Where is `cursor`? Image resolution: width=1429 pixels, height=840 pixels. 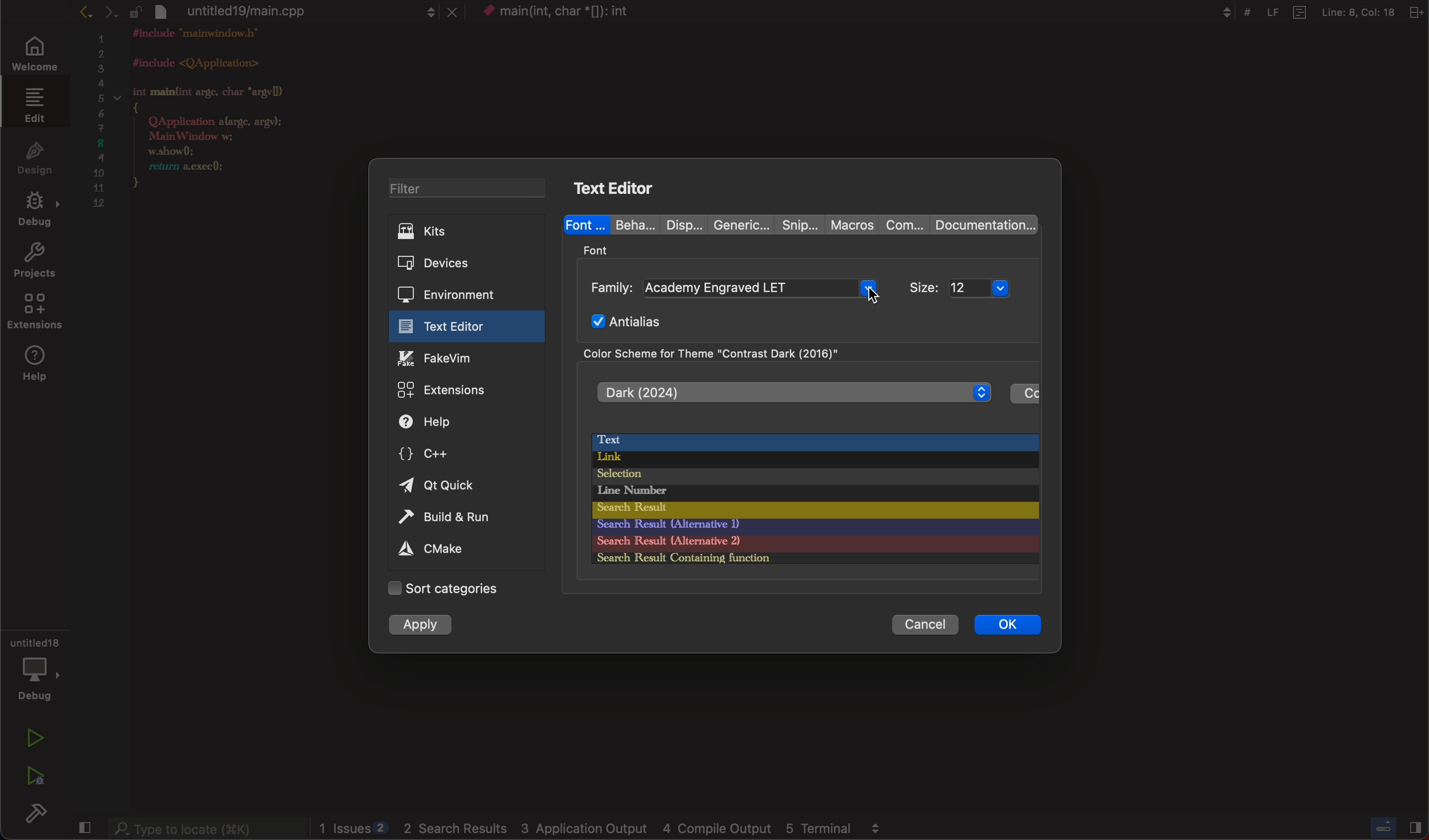 cursor is located at coordinates (867, 295).